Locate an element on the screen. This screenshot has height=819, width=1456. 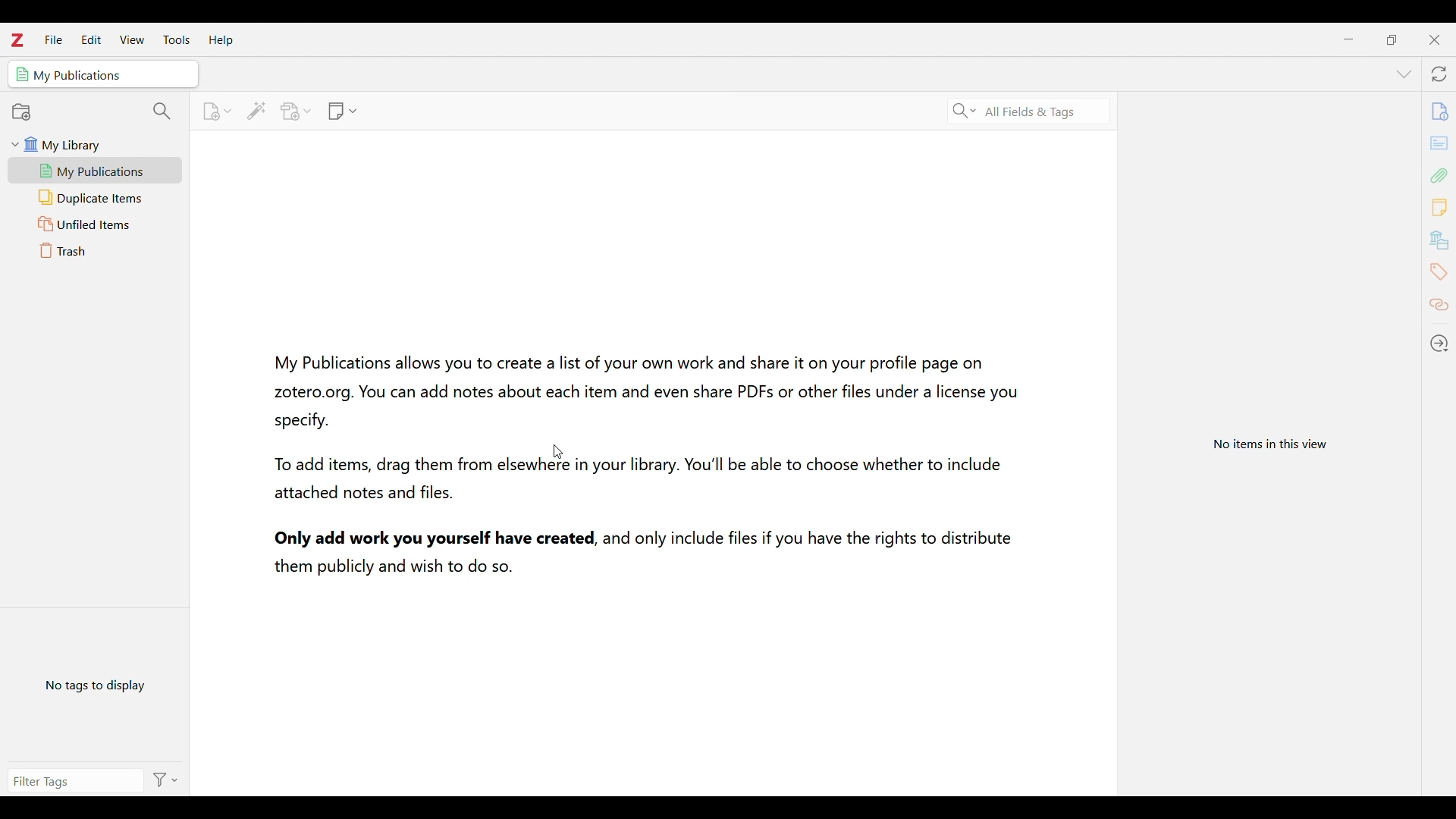
Selected search criteria is located at coordinates (1031, 112).